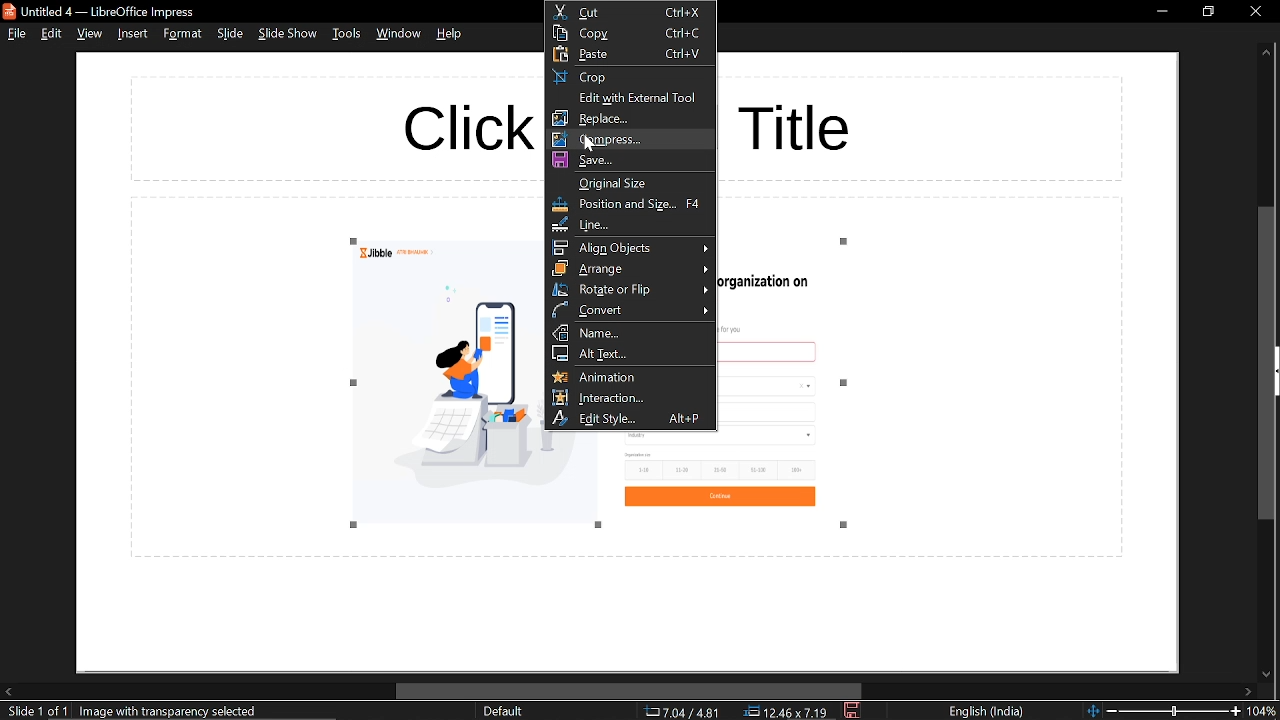  Describe the element at coordinates (173, 711) in the screenshot. I see `selected image` at that location.